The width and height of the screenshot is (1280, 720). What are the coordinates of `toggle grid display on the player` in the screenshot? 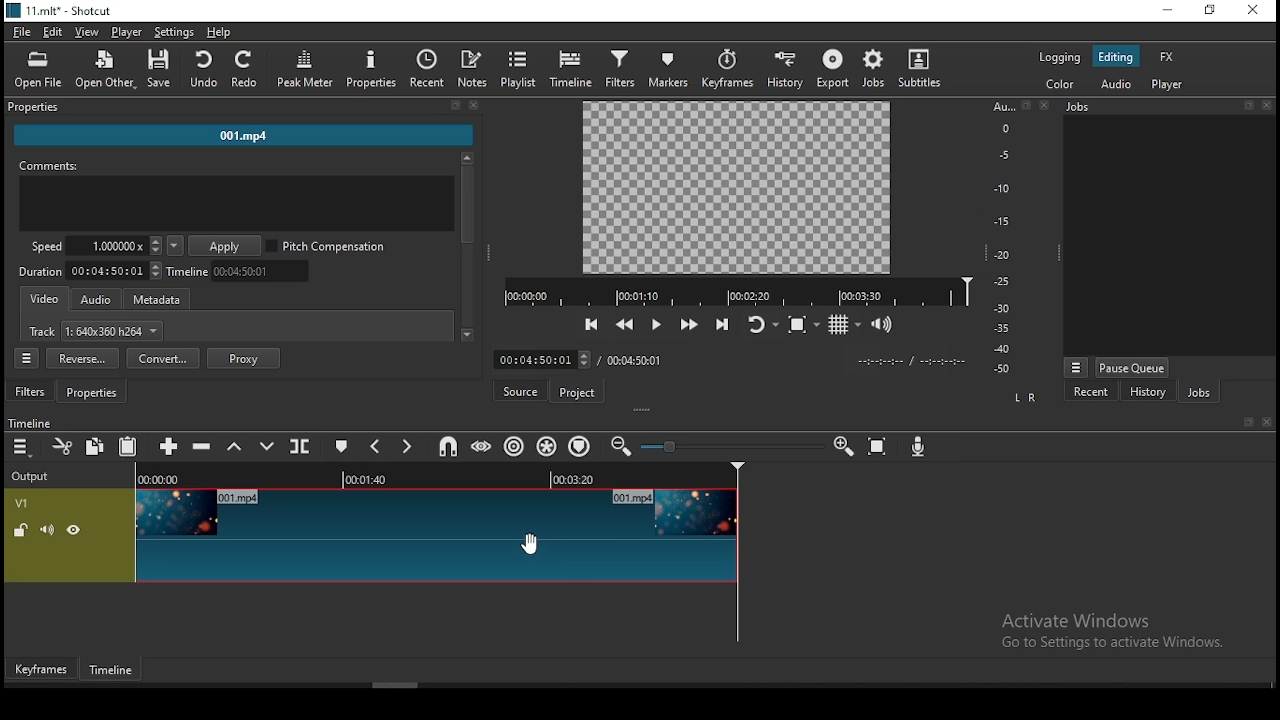 It's located at (847, 325).